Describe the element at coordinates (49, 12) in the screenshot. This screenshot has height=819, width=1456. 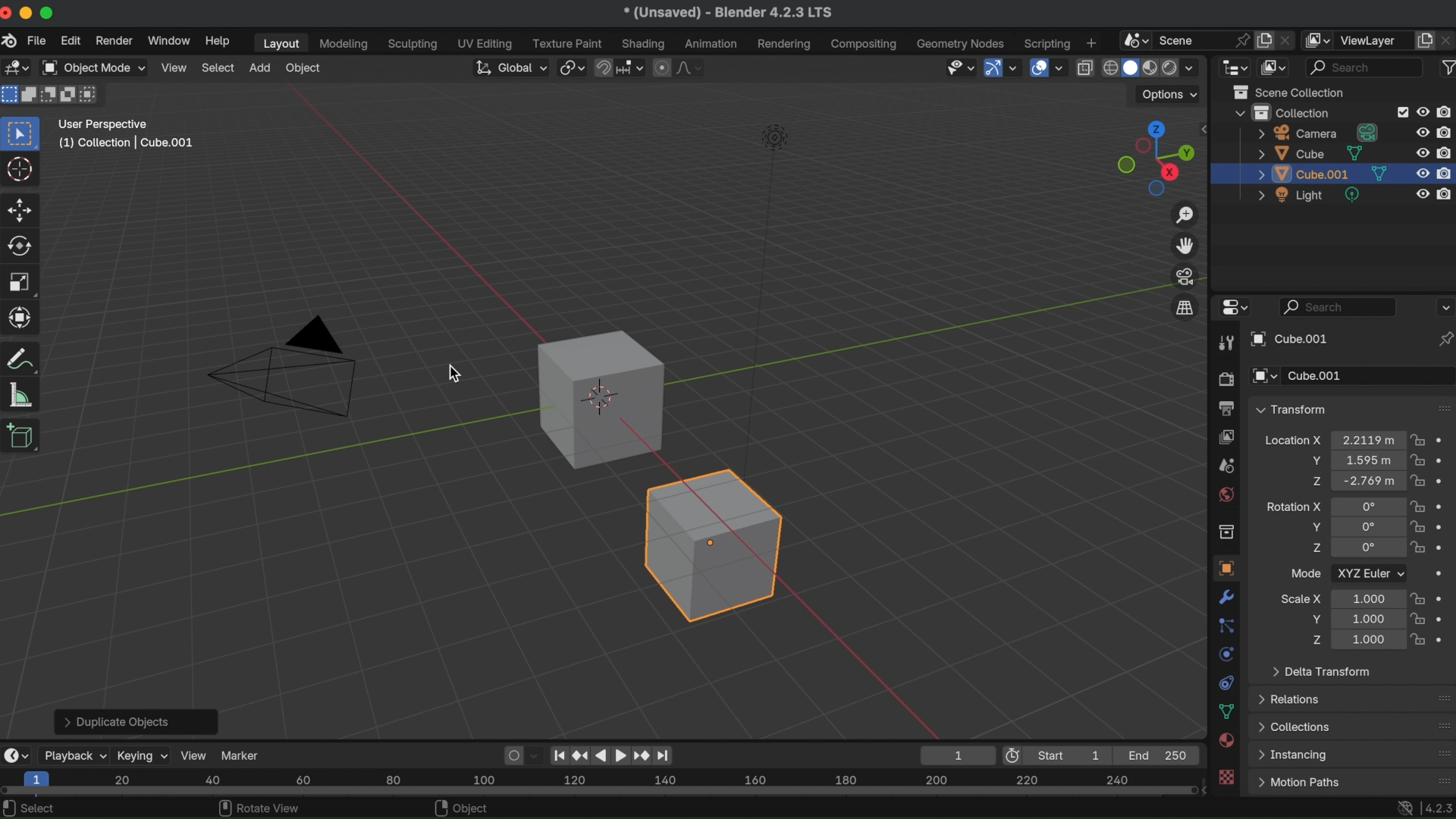
I see `maximize` at that location.